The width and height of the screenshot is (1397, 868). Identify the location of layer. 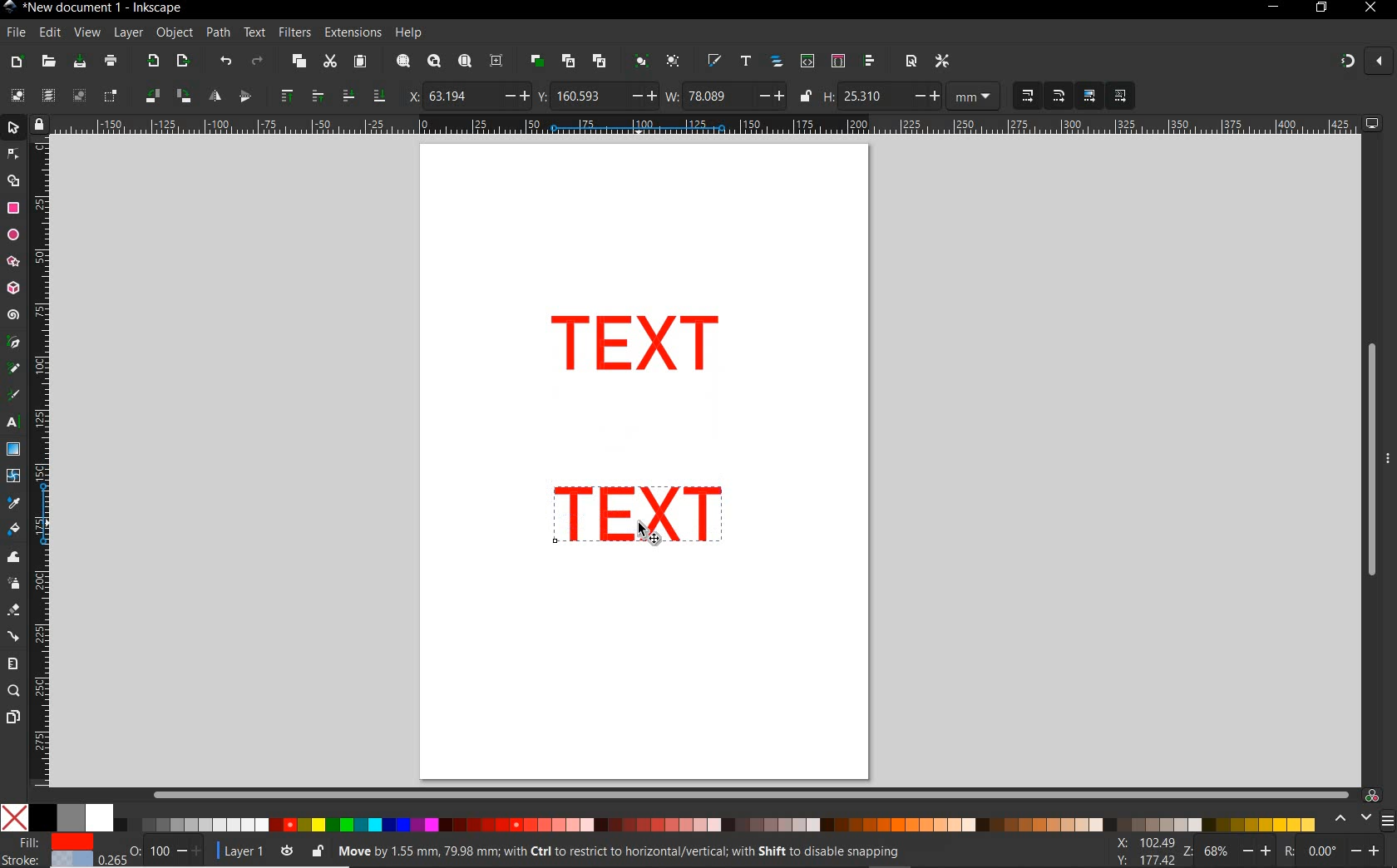
(129, 33).